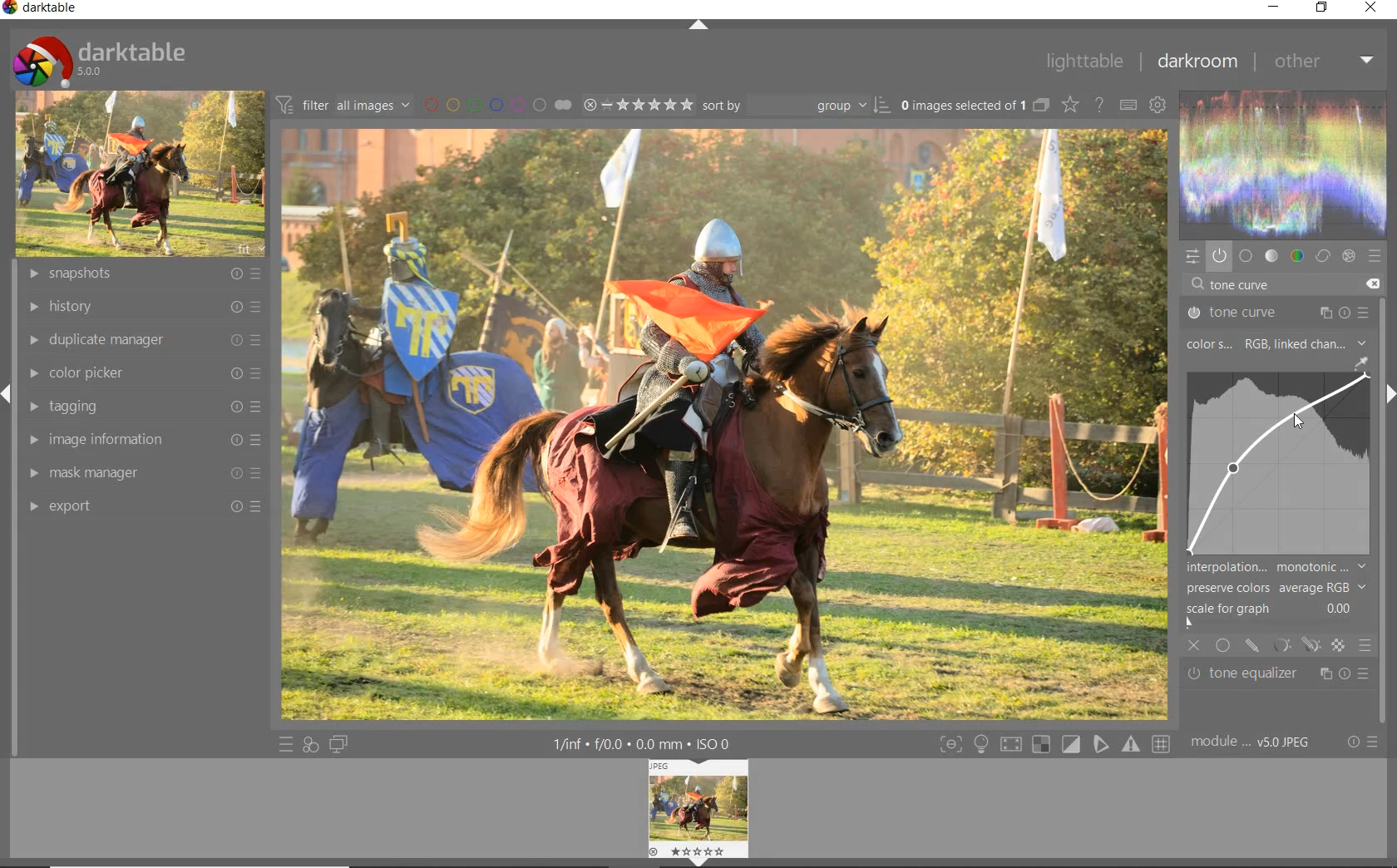  What do you see at coordinates (1323, 61) in the screenshot?
I see `other` at bounding box center [1323, 61].